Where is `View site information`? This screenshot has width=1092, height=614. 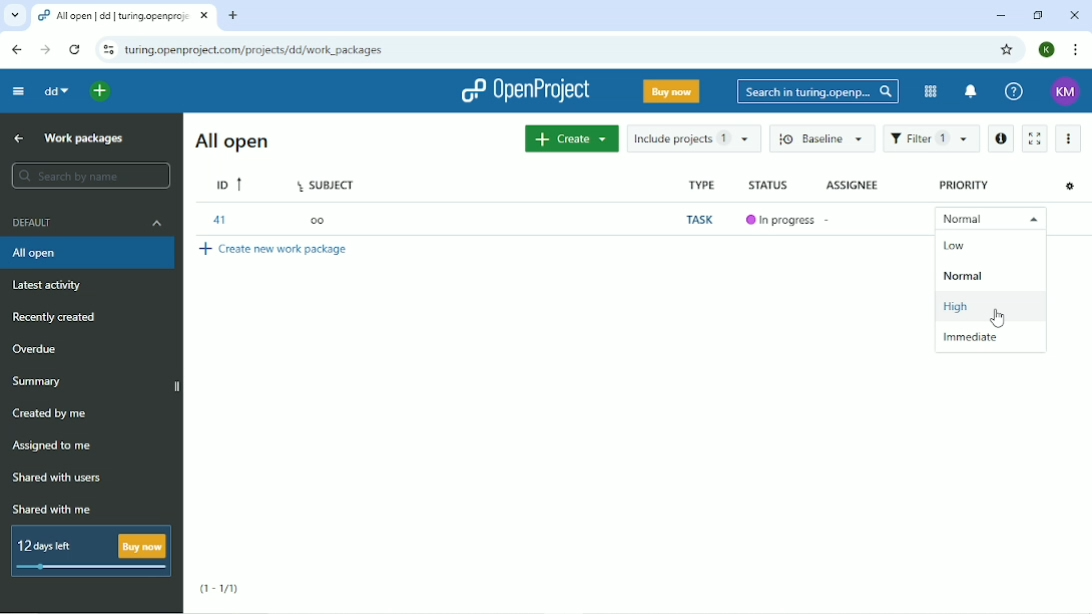
View site information is located at coordinates (106, 50).